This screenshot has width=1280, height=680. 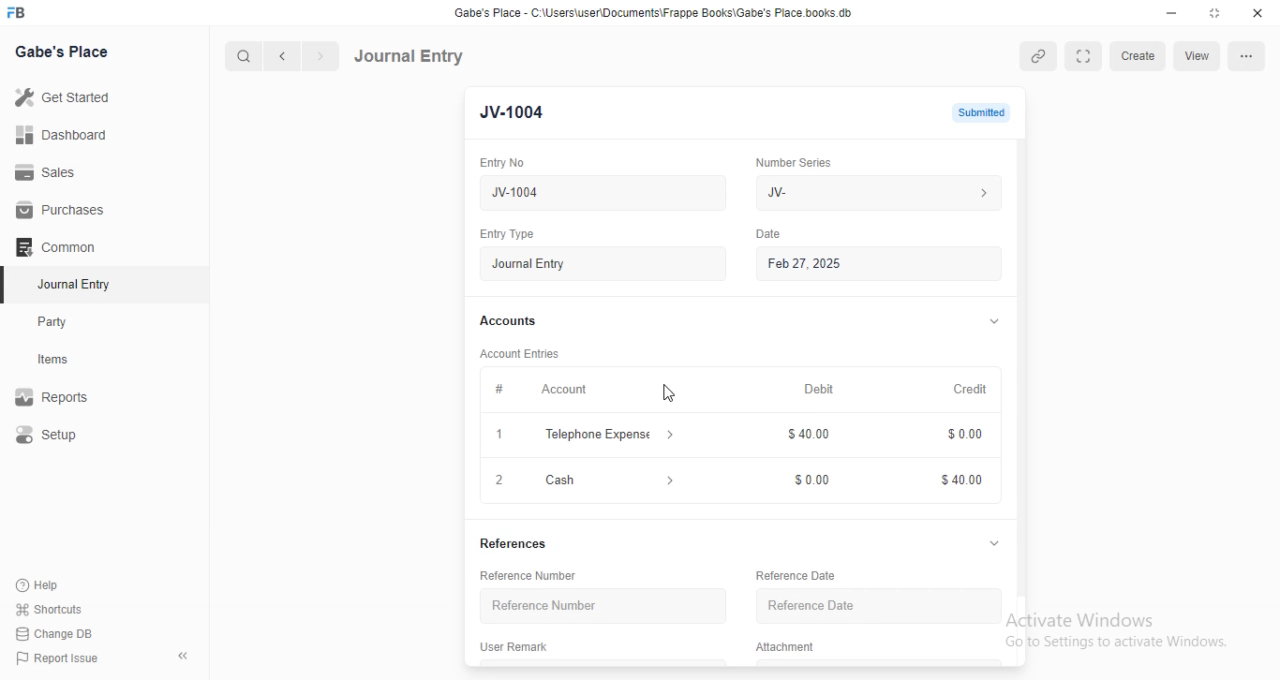 I want to click on Help, so click(x=36, y=585).